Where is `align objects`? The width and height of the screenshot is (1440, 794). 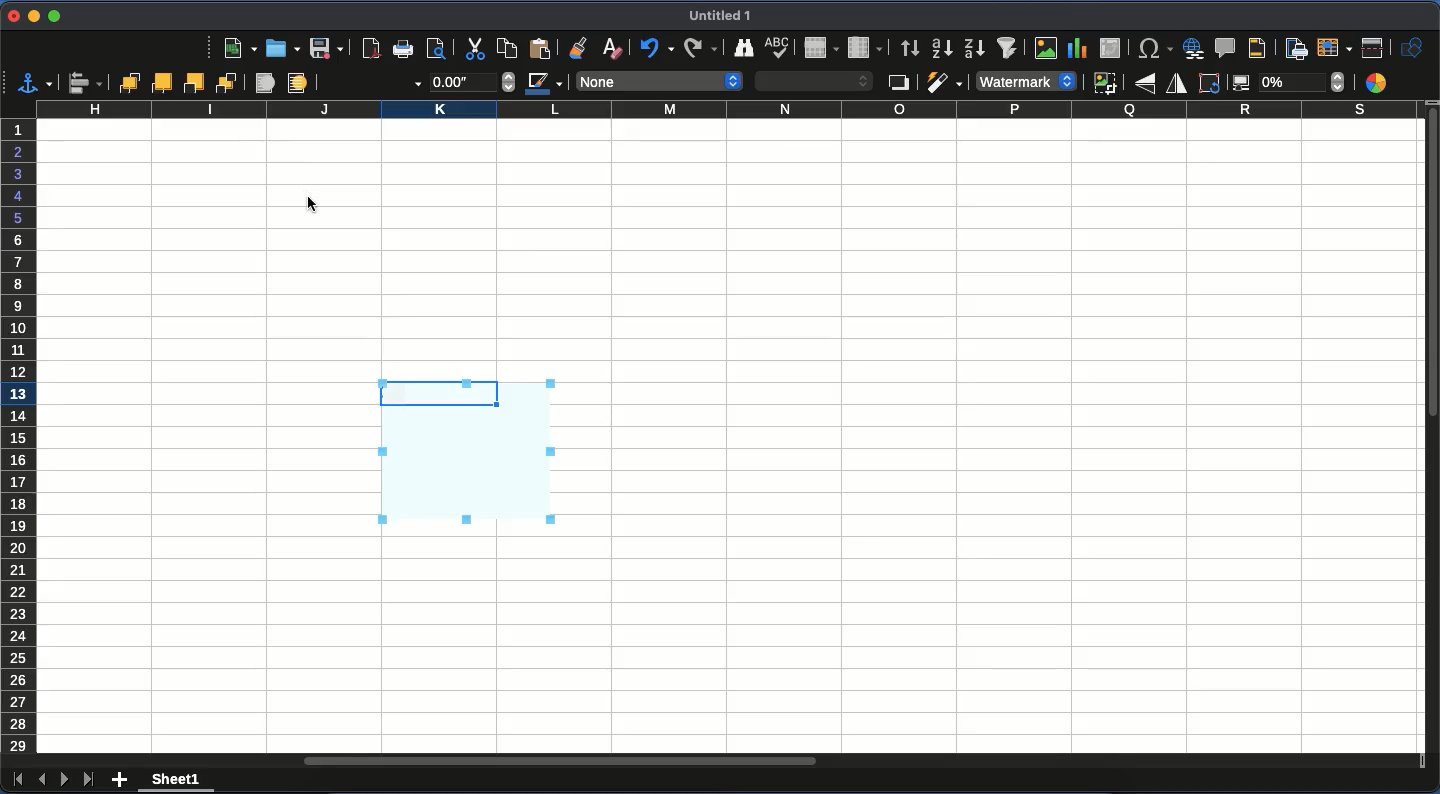 align objects is located at coordinates (85, 84).